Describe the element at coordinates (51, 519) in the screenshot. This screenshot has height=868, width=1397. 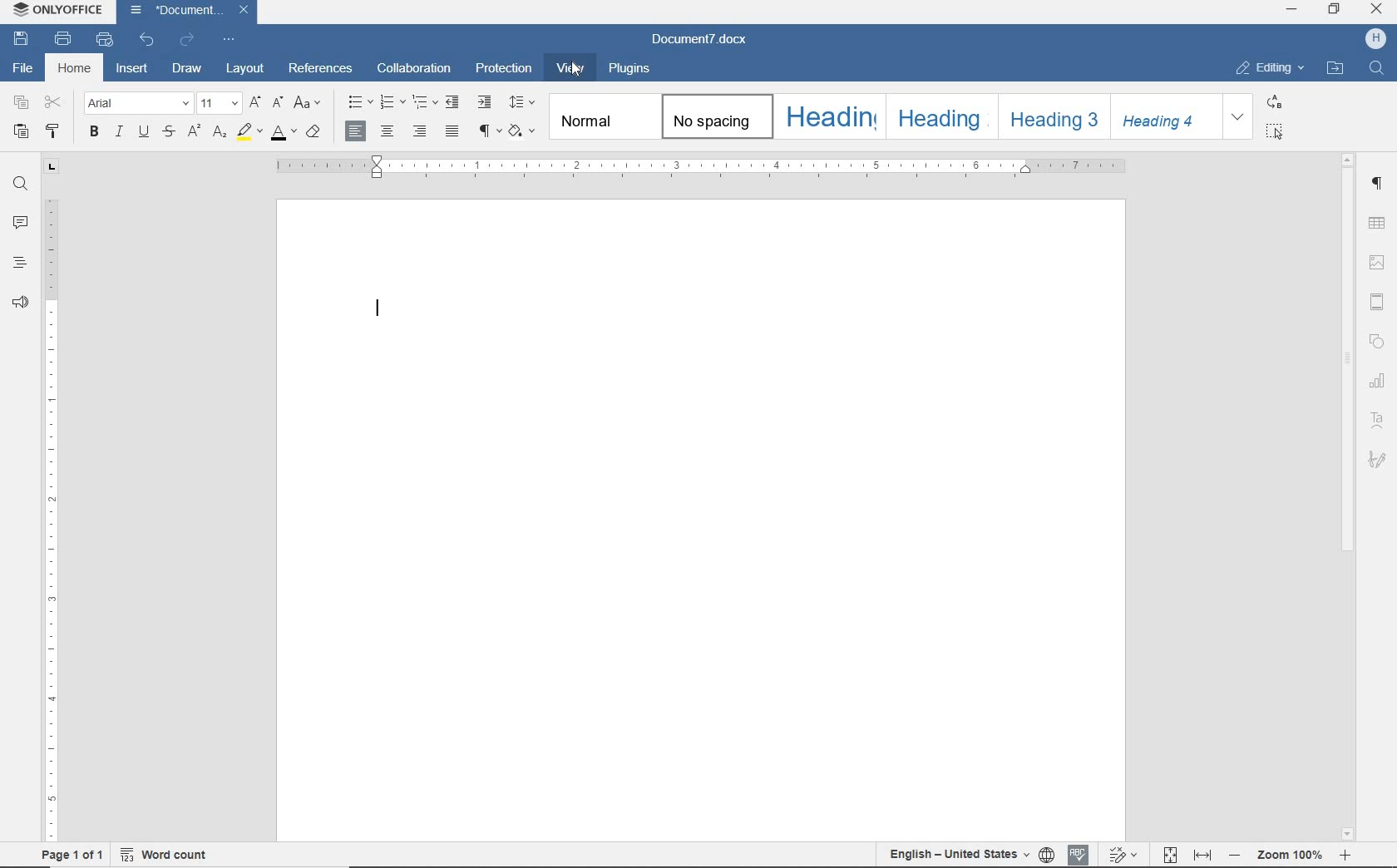
I see `RULER` at that location.